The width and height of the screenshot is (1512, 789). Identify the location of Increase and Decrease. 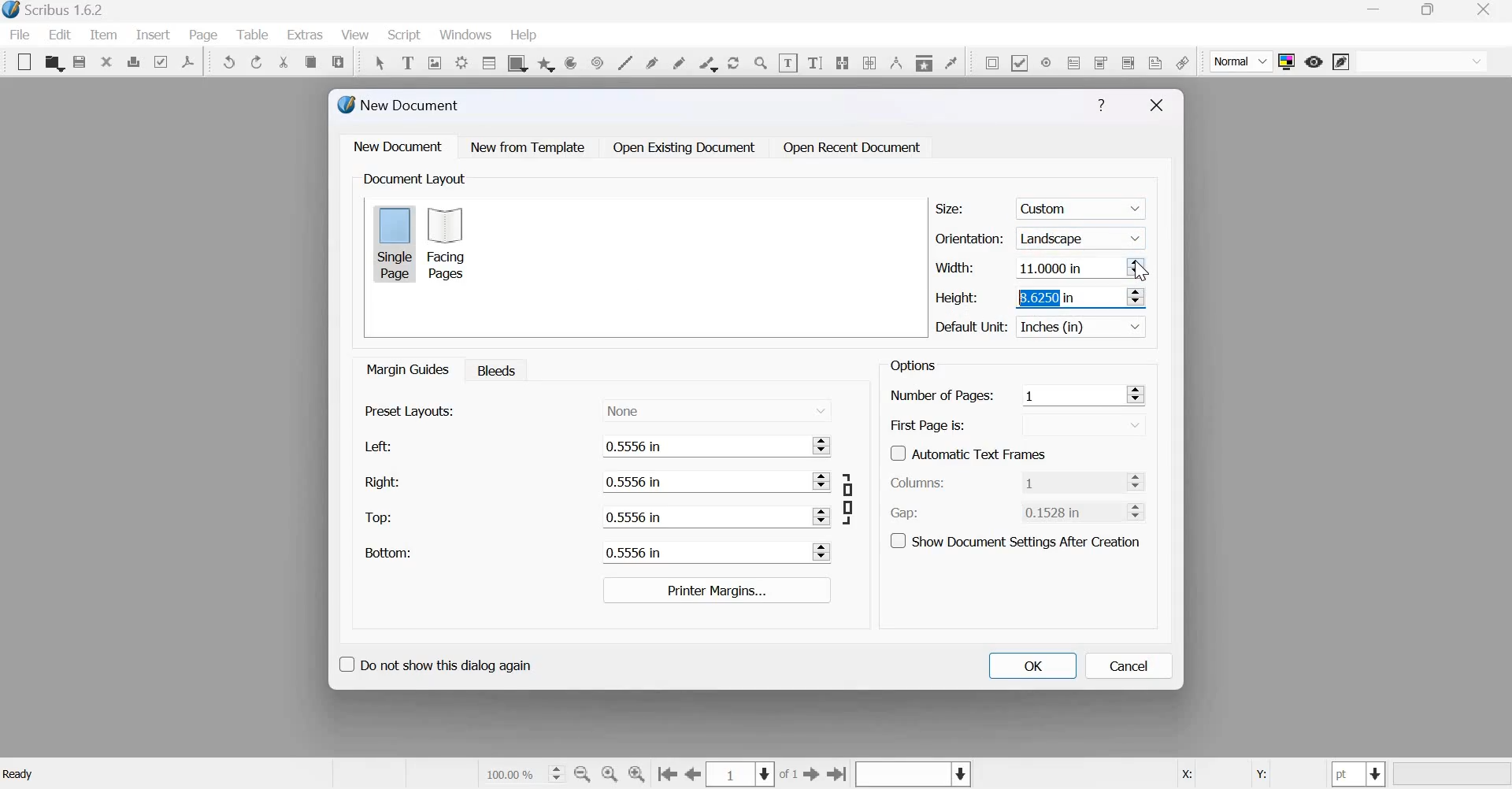
(823, 552).